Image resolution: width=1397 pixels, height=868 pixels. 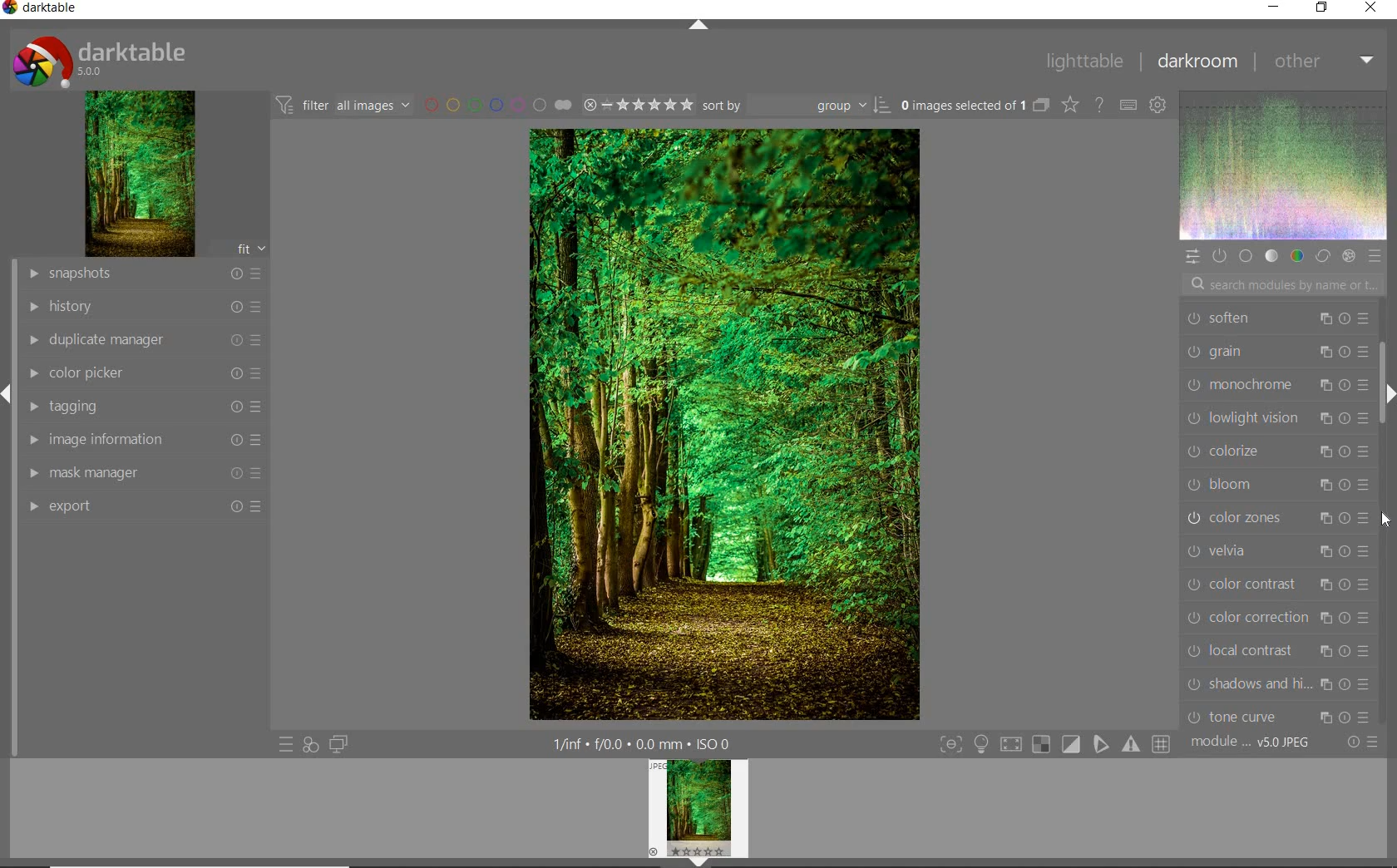 I want to click on FILTER BY IMAGE COLOR LABEL, so click(x=495, y=103).